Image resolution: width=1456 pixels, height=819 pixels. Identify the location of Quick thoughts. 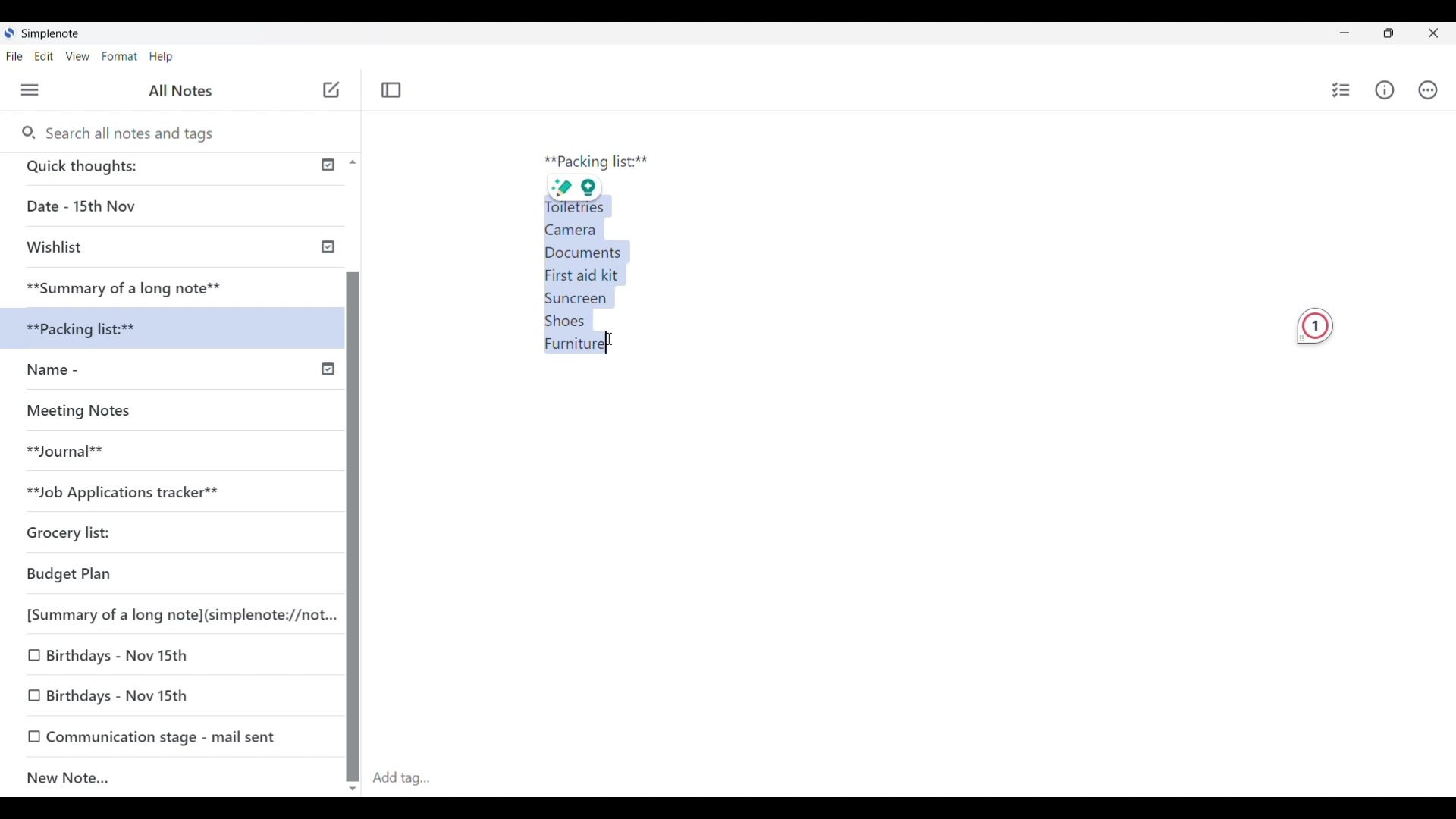
(143, 168).